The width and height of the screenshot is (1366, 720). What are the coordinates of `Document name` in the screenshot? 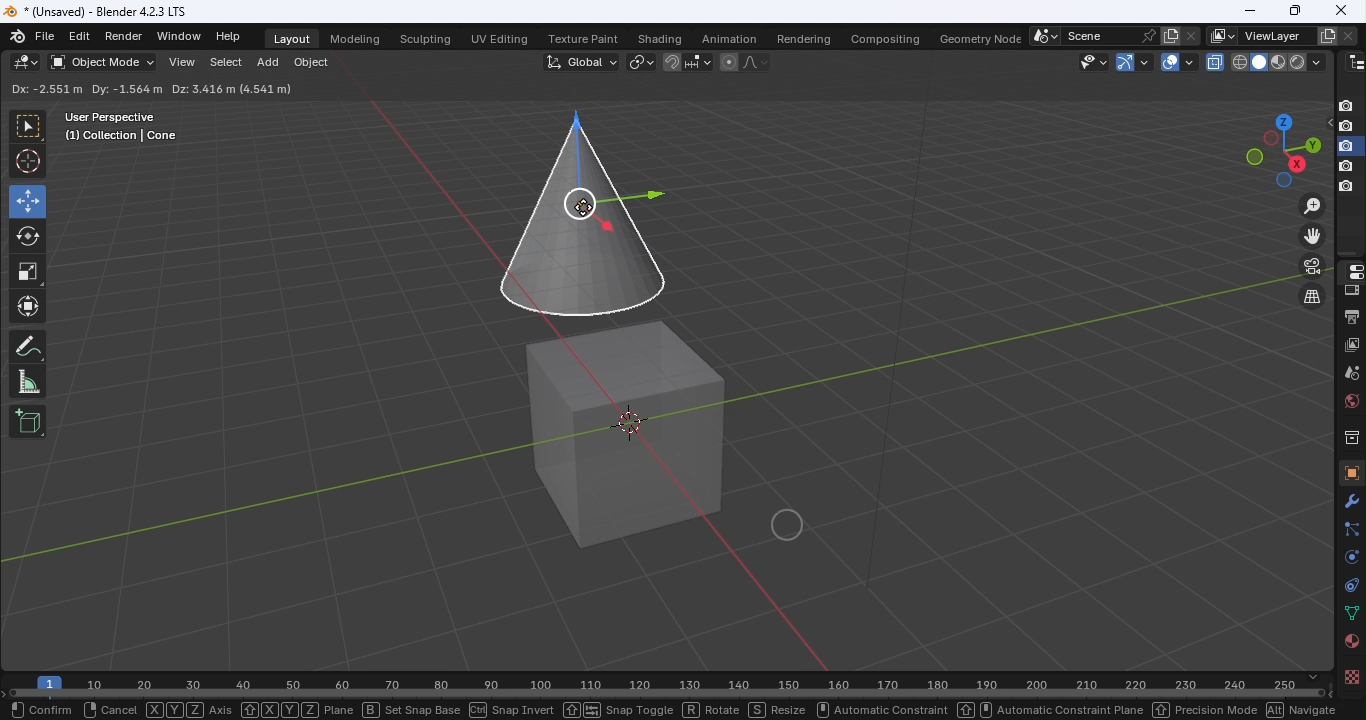 It's located at (105, 10).